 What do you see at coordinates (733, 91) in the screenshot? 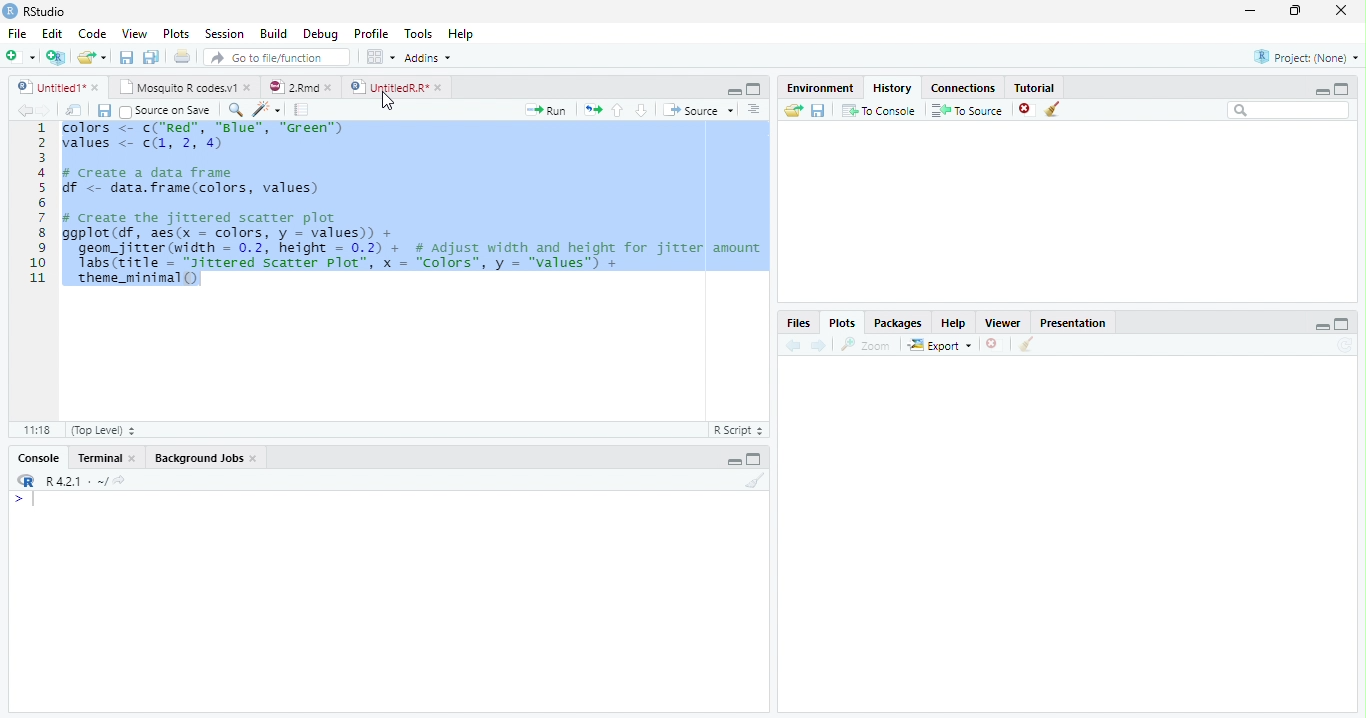
I see `Minimize` at bounding box center [733, 91].